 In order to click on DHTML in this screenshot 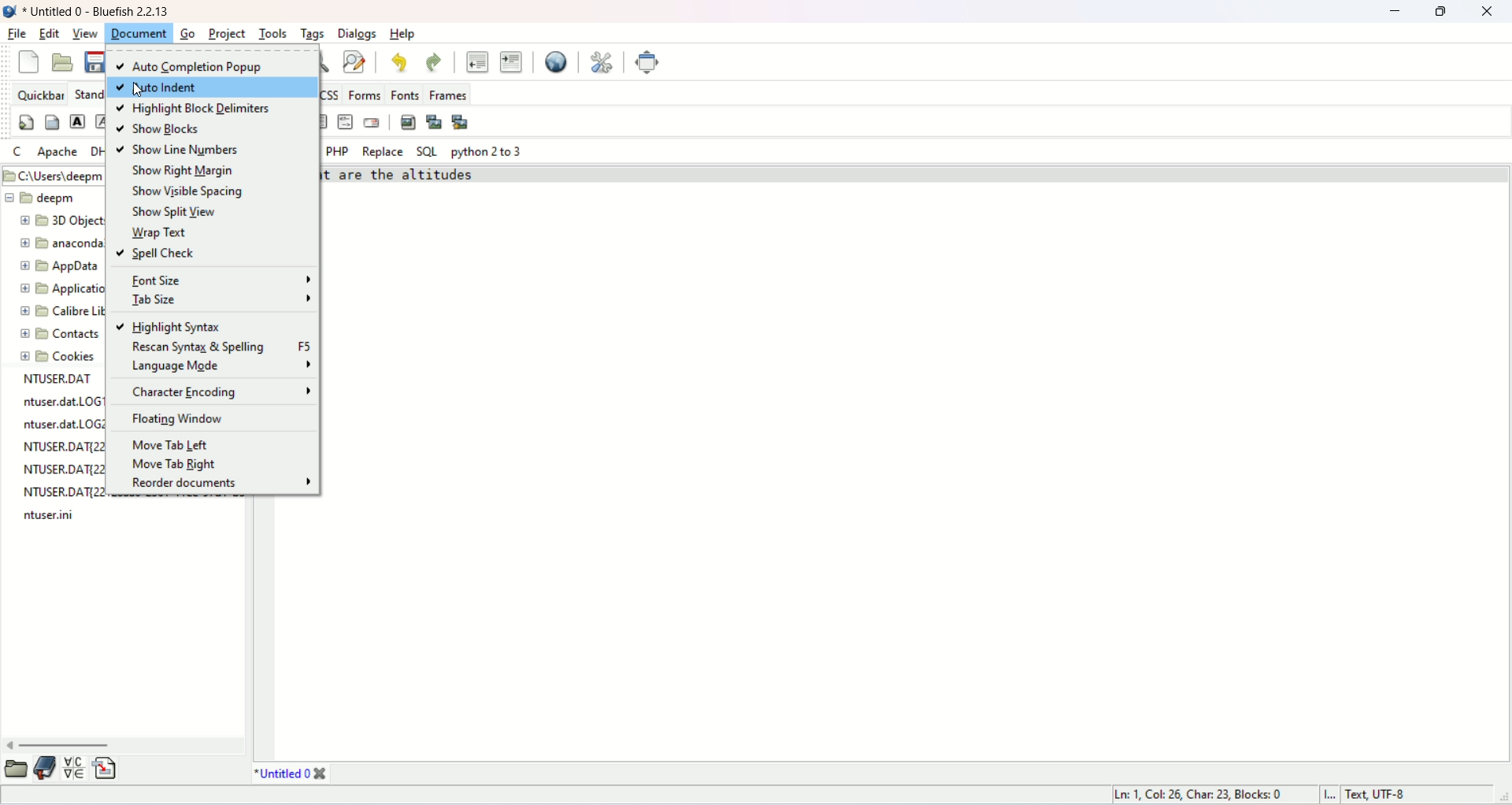, I will do `click(97, 152)`.